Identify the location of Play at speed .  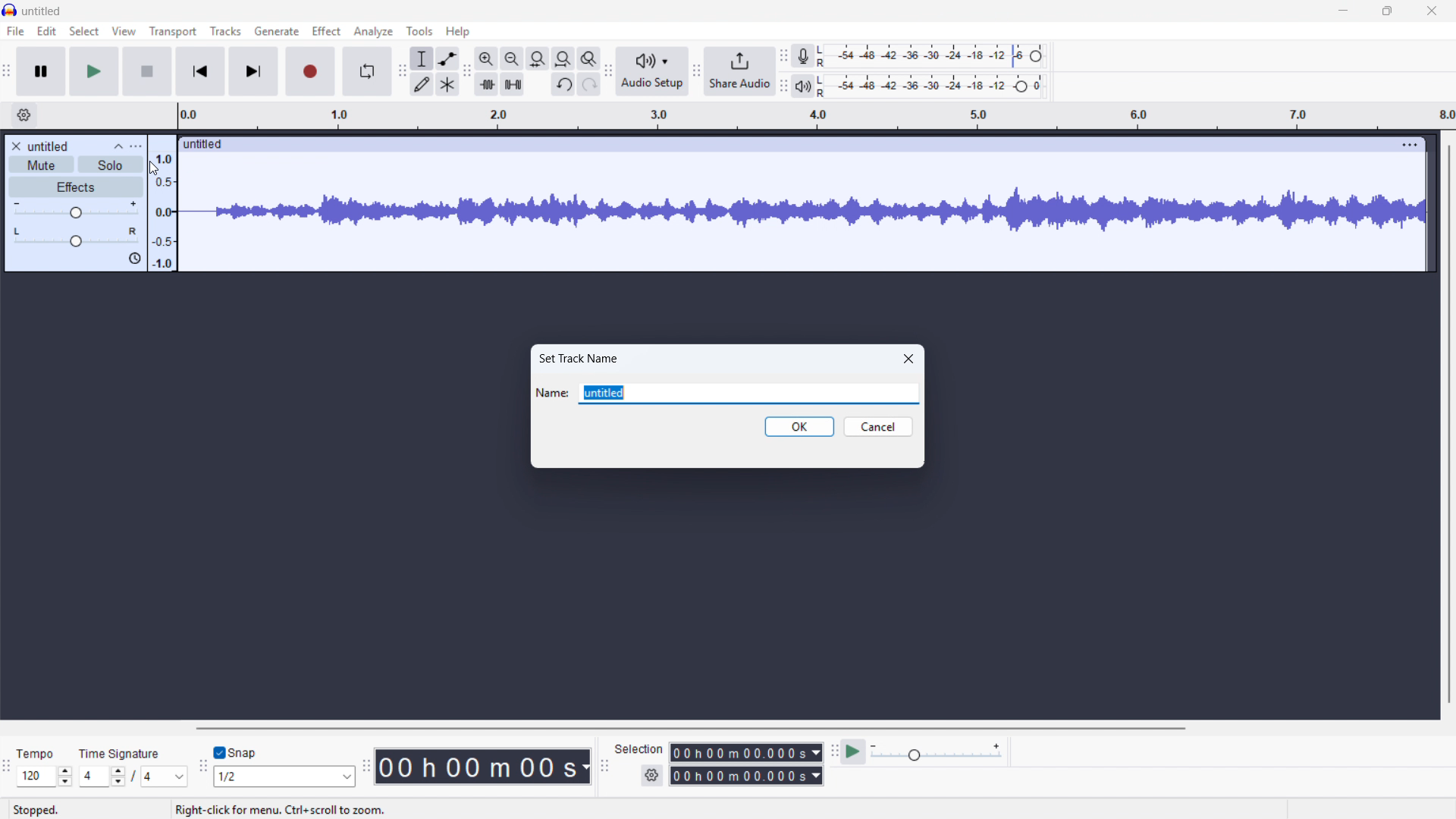
(854, 751).